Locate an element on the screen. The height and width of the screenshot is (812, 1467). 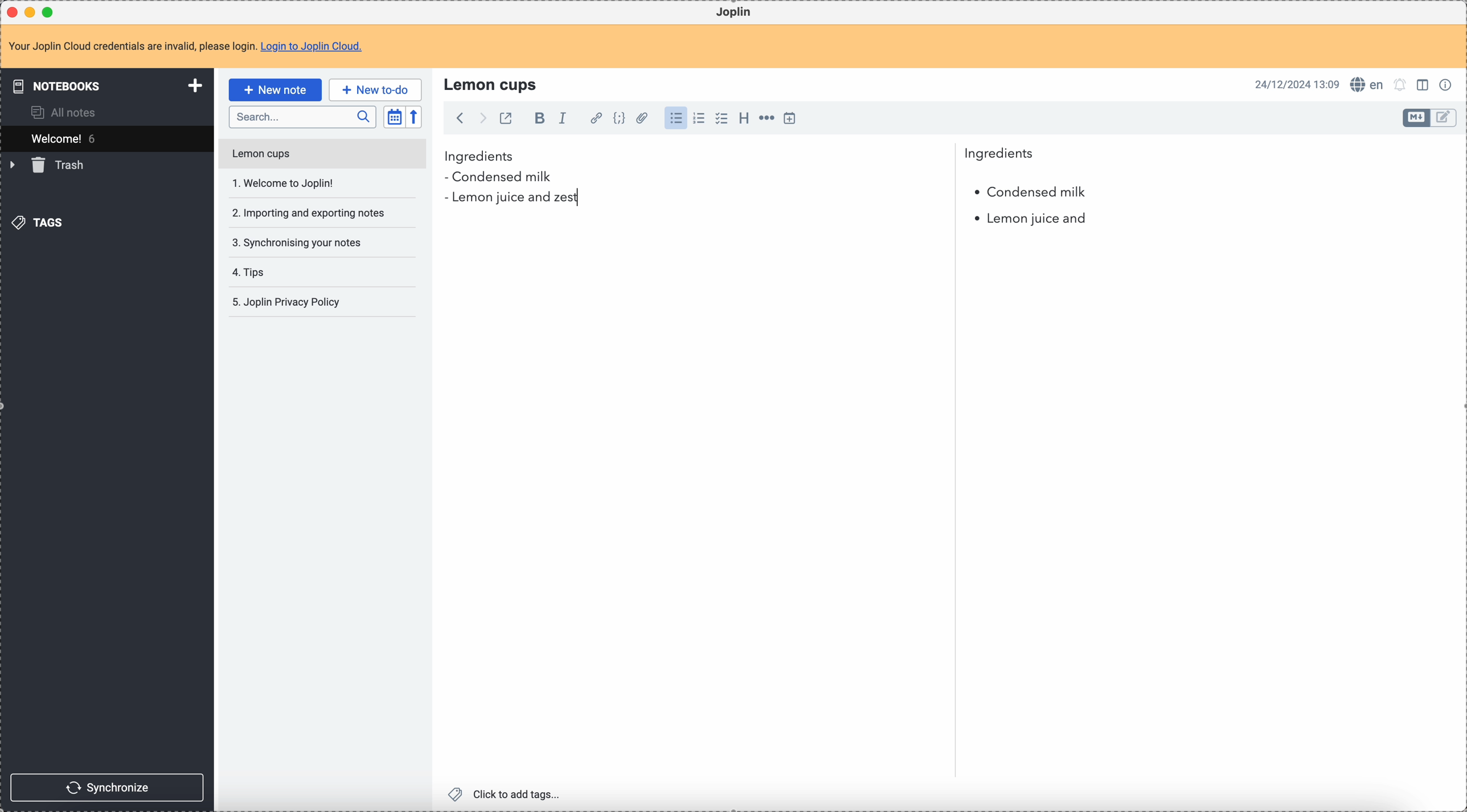
toggle edit layout is located at coordinates (1444, 118).